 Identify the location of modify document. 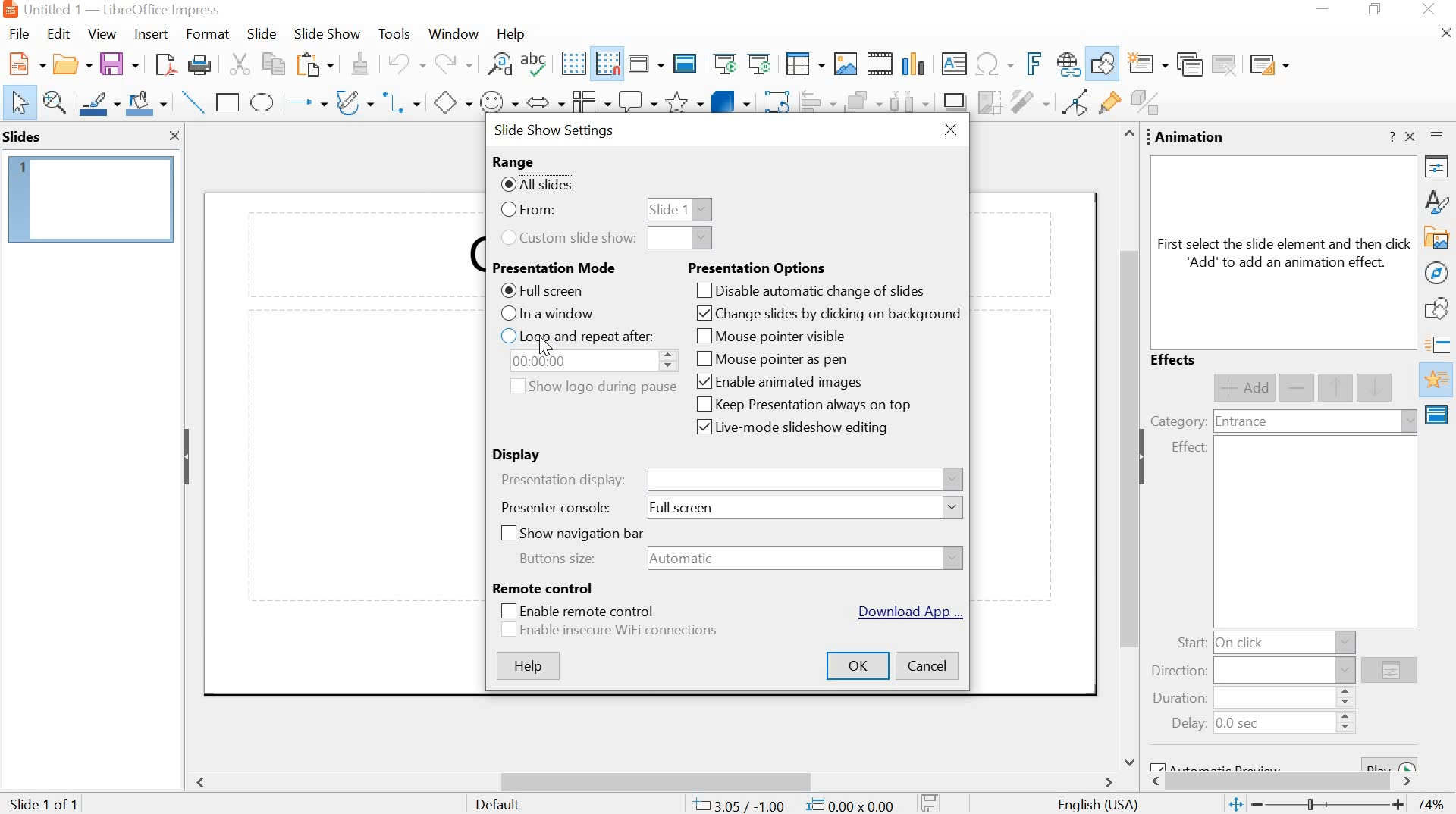
(930, 803).